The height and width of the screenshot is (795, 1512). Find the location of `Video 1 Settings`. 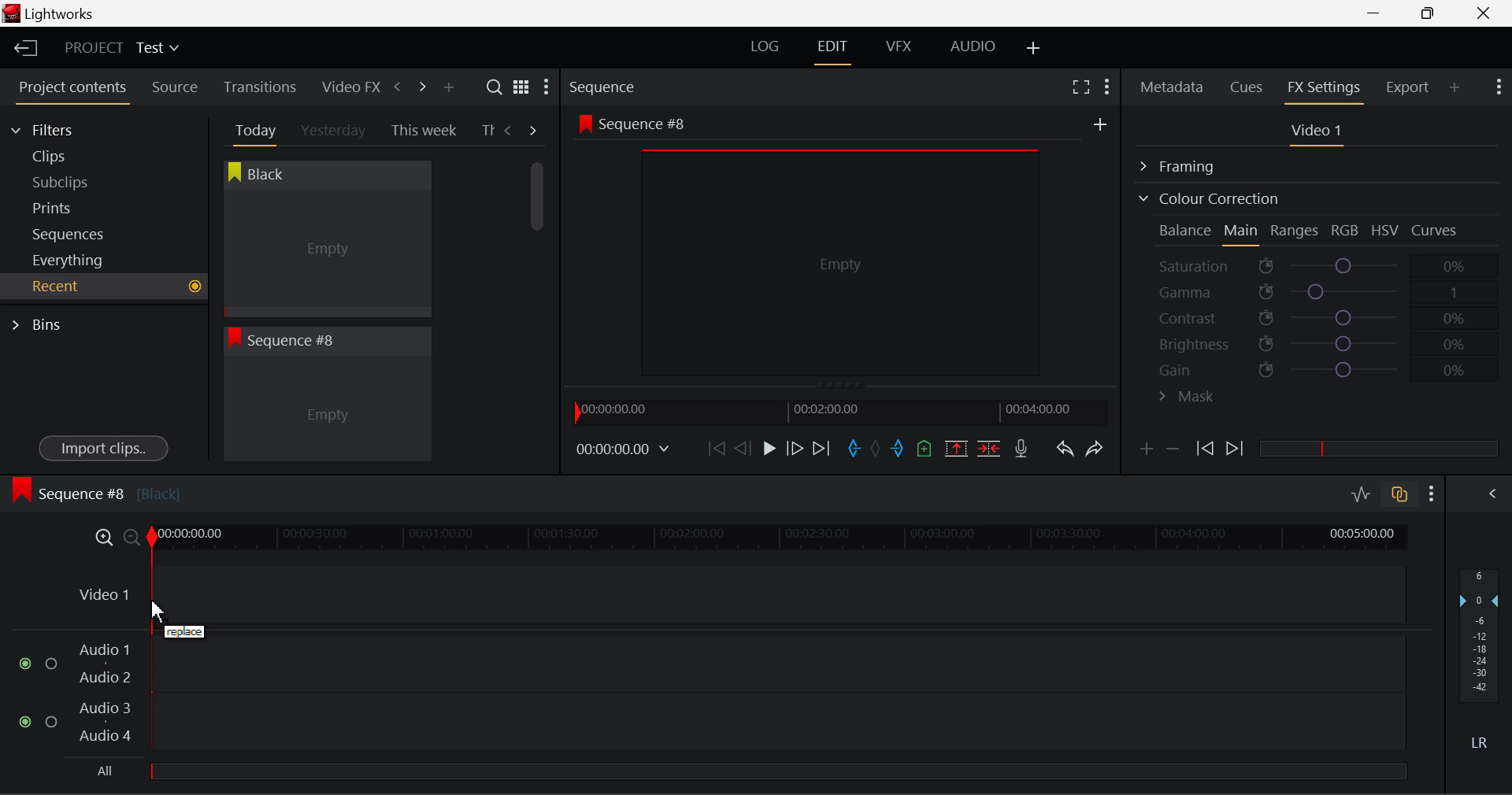

Video 1 Settings is located at coordinates (1319, 134).